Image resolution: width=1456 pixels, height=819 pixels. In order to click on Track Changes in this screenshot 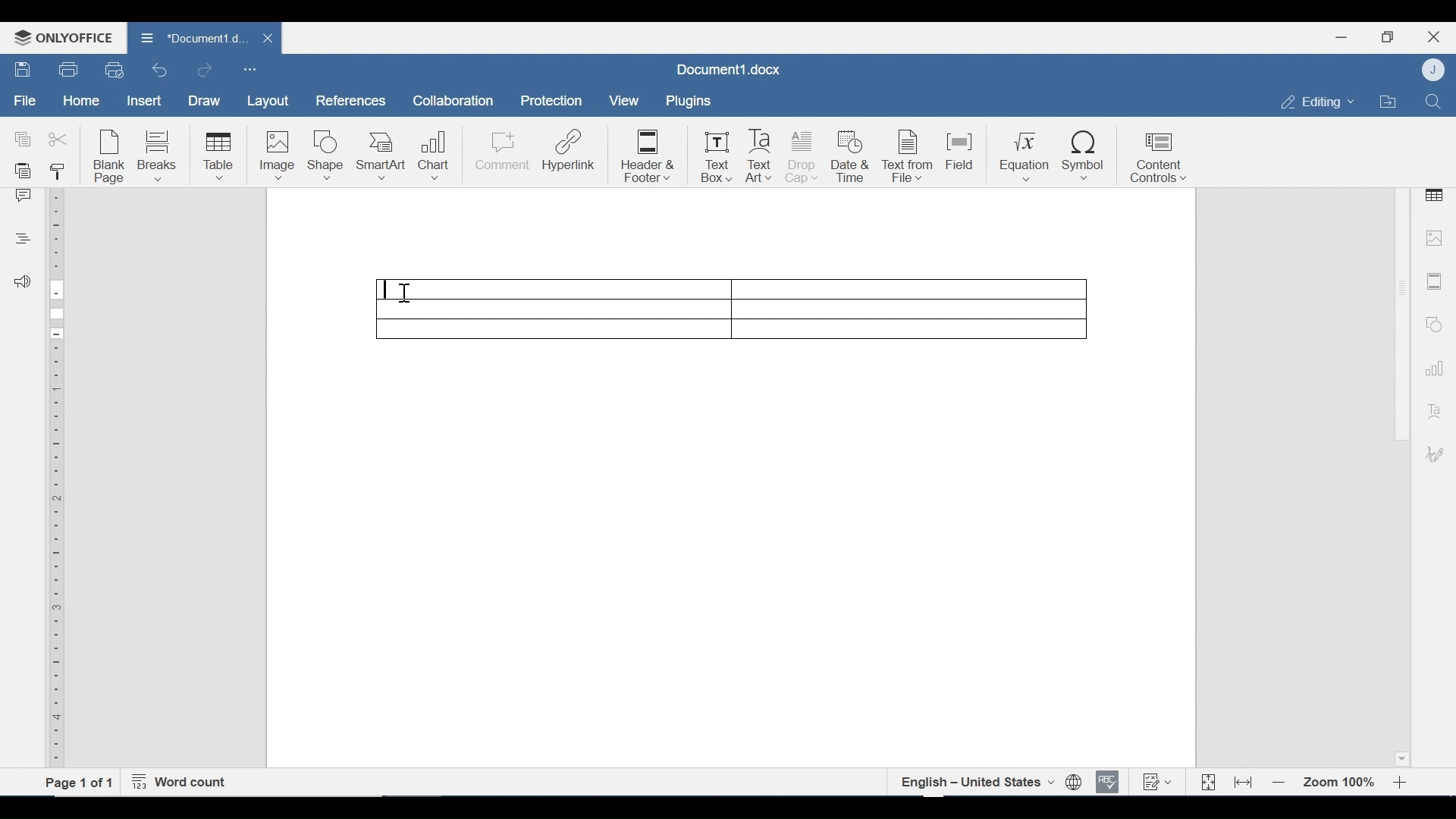, I will do `click(1156, 781)`.